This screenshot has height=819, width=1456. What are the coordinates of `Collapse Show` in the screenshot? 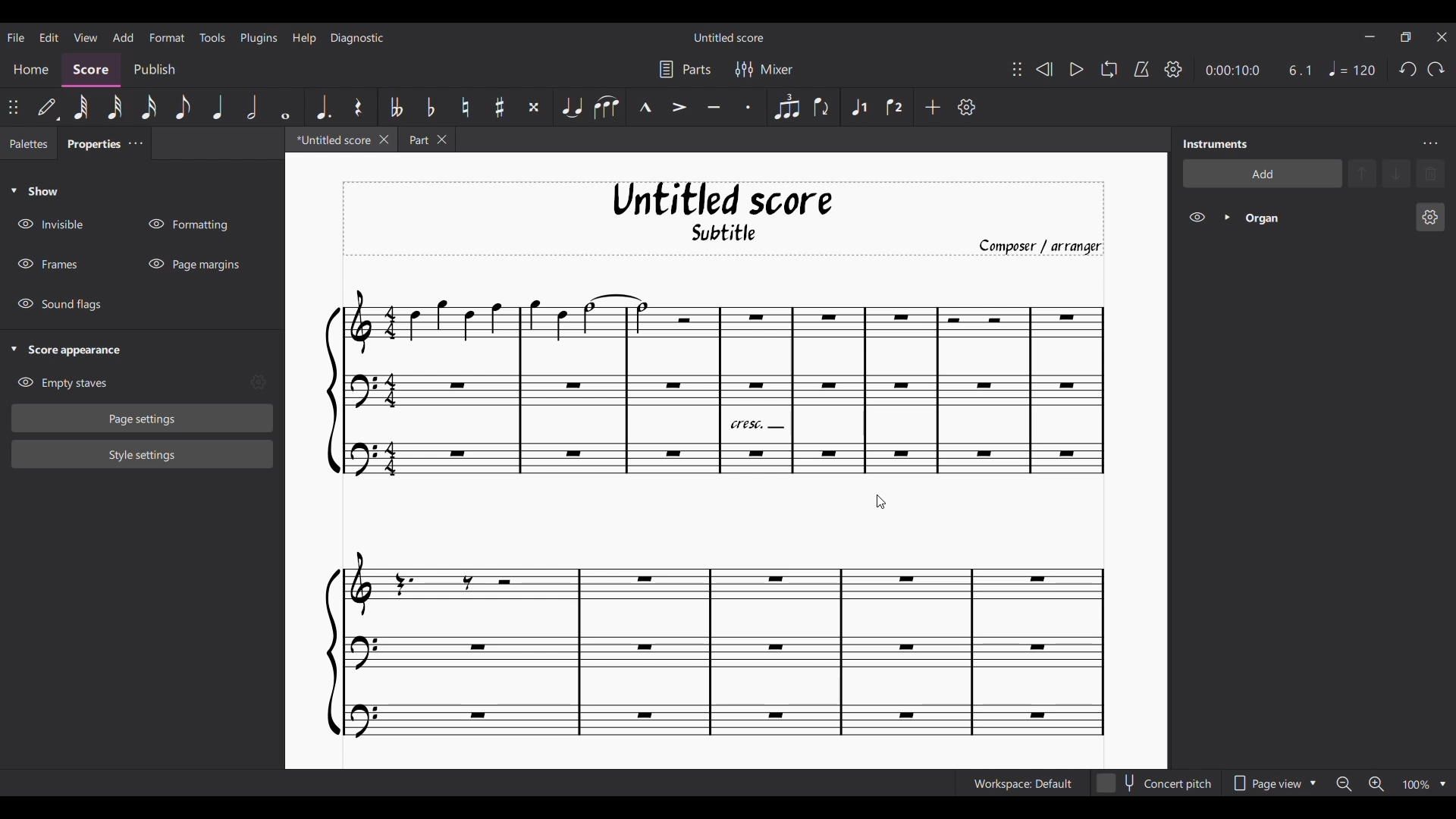 It's located at (34, 190).